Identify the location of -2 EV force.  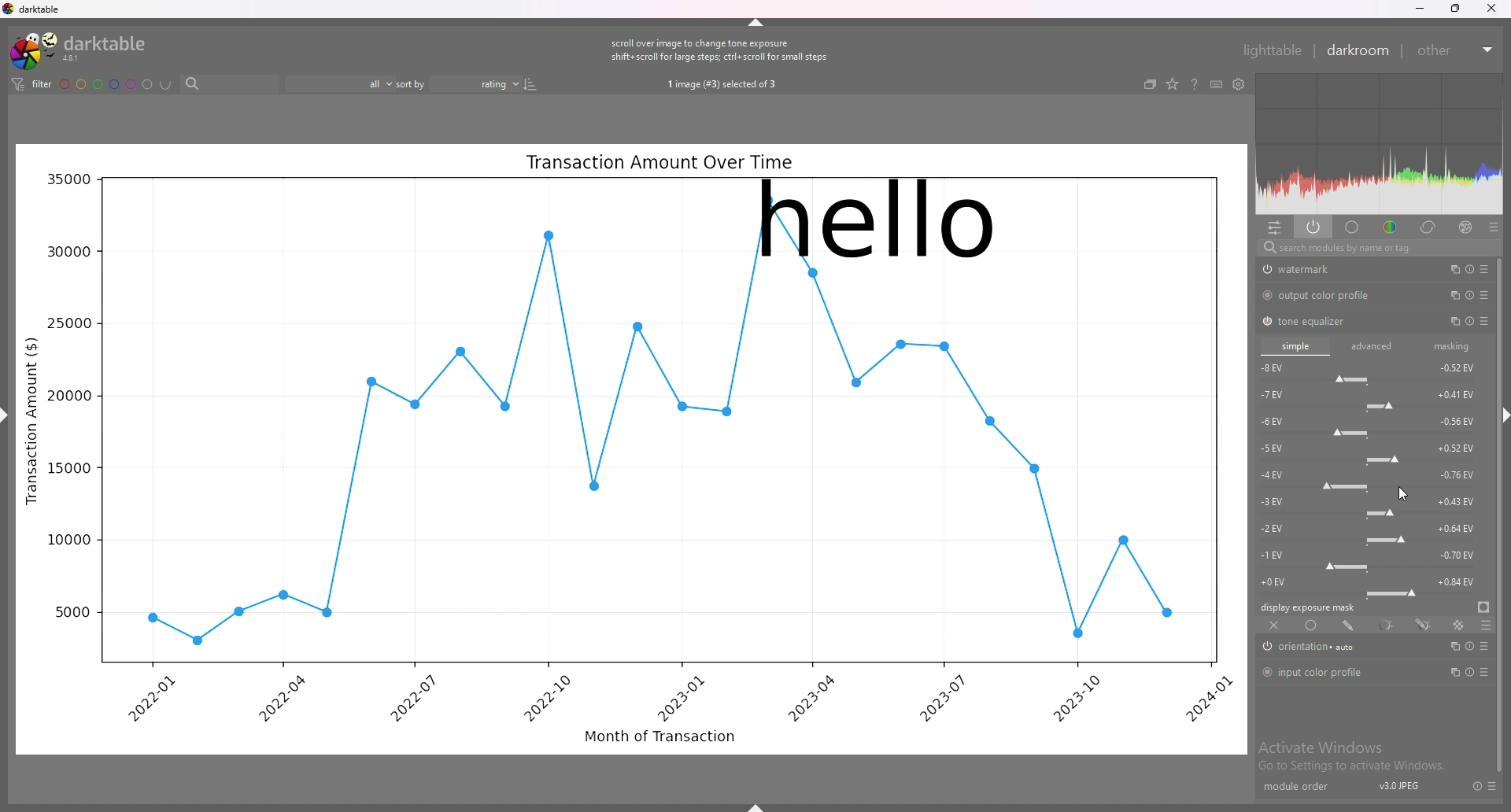
(1372, 532).